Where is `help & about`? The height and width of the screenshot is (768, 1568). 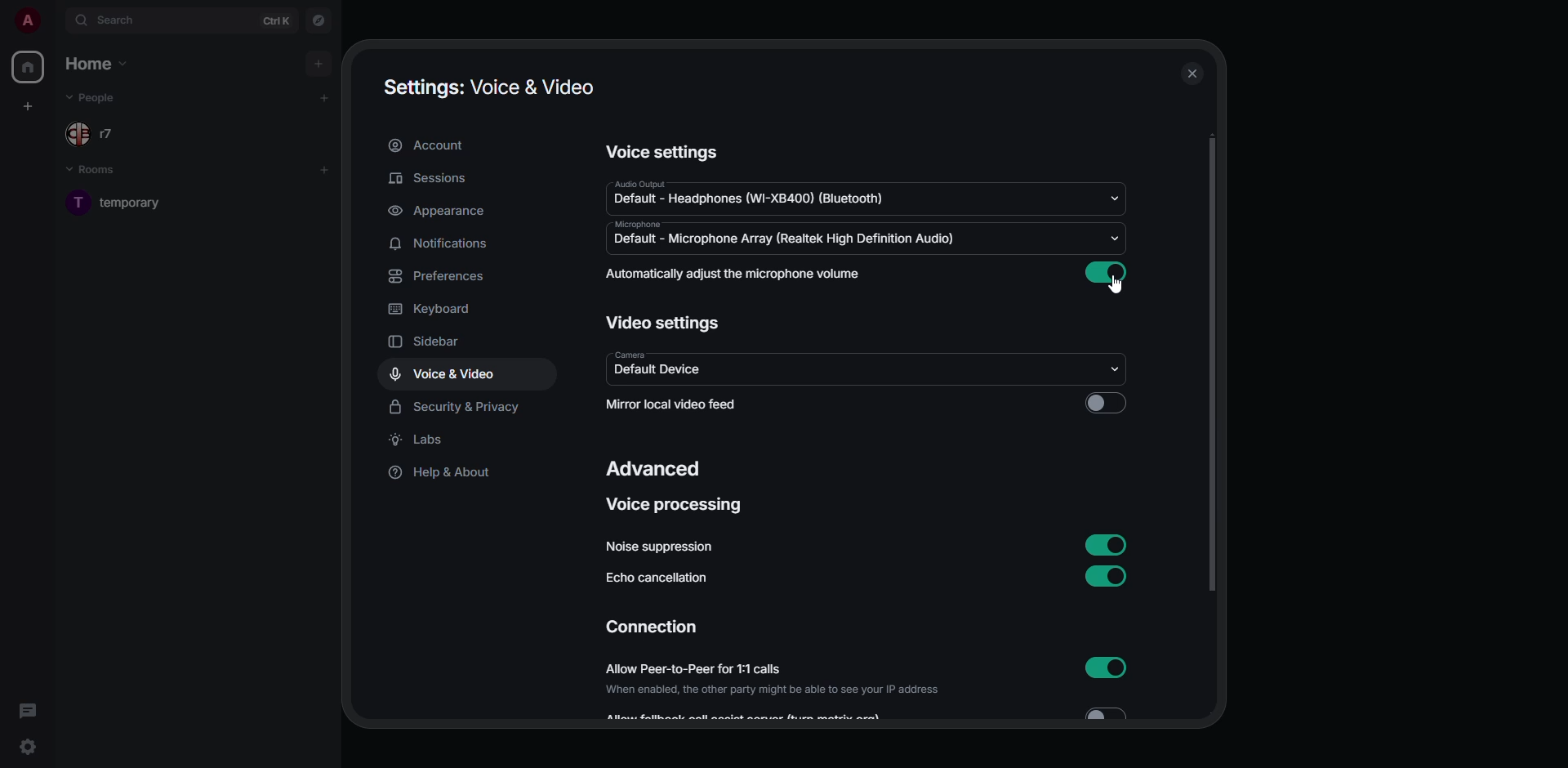 help & about is located at coordinates (447, 475).